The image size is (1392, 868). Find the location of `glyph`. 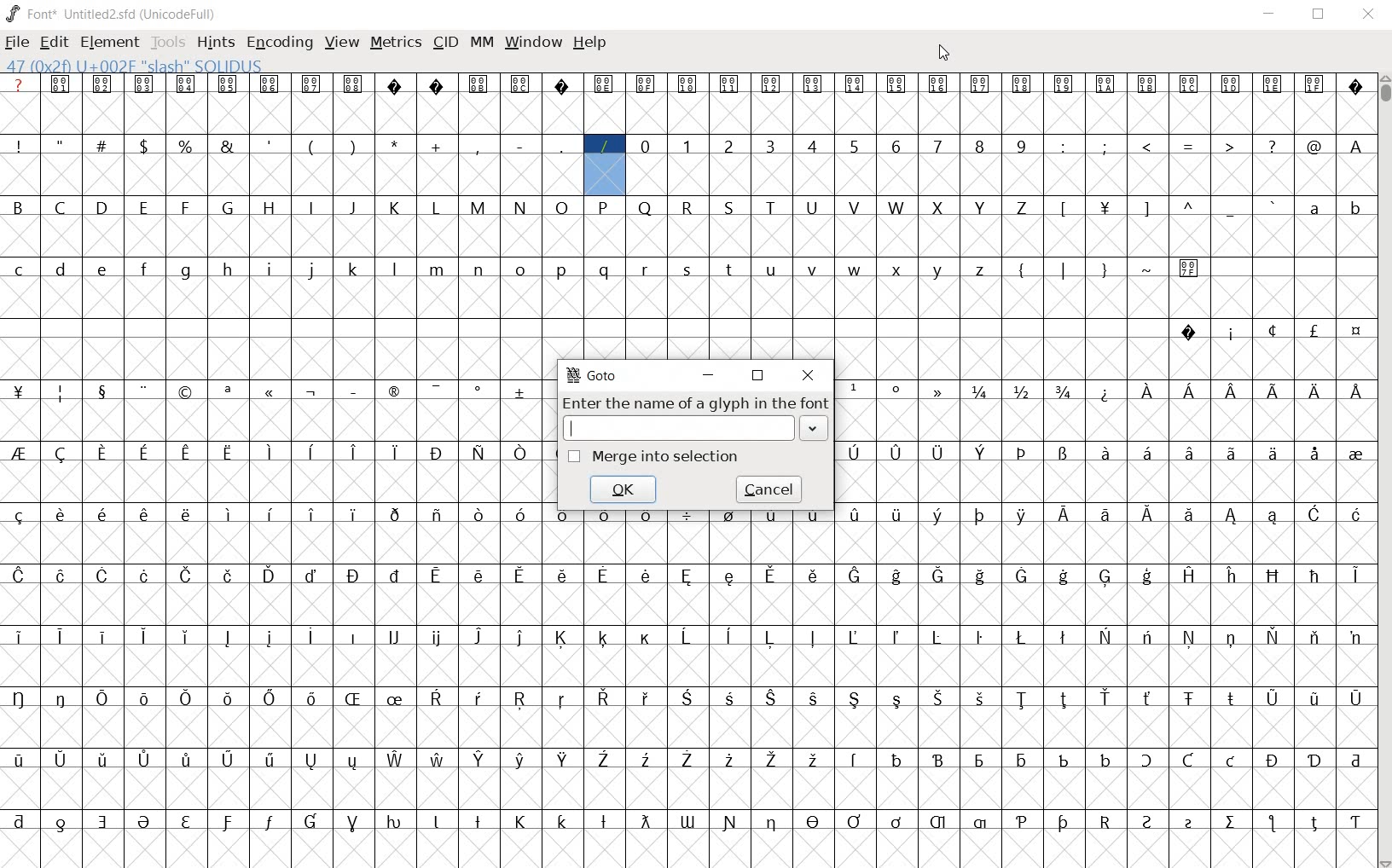

glyph is located at coordinates (896, 207).